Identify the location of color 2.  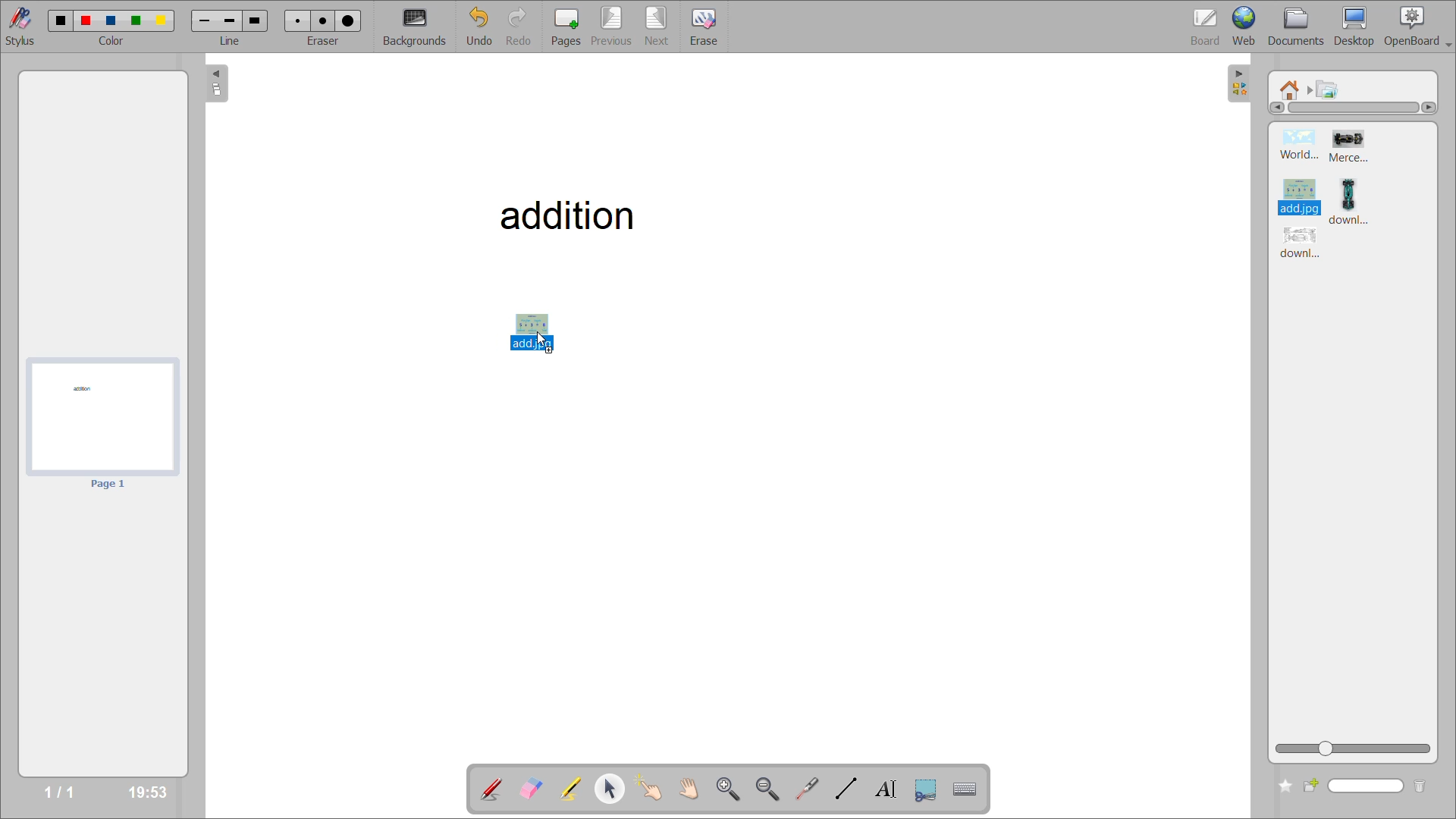
(87, 22).